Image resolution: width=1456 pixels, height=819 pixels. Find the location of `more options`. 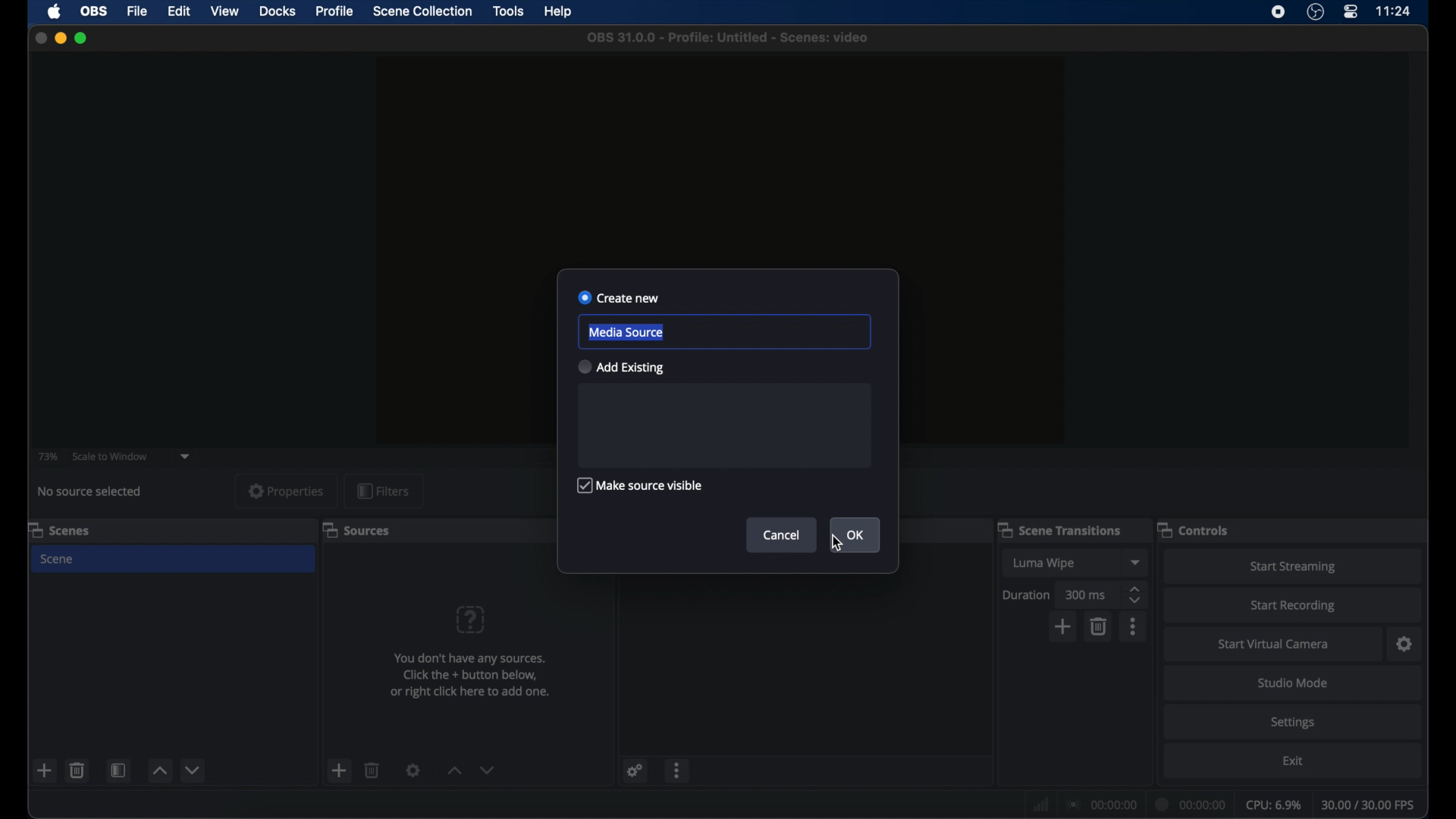

more options is located at coordinates (1134, 626).